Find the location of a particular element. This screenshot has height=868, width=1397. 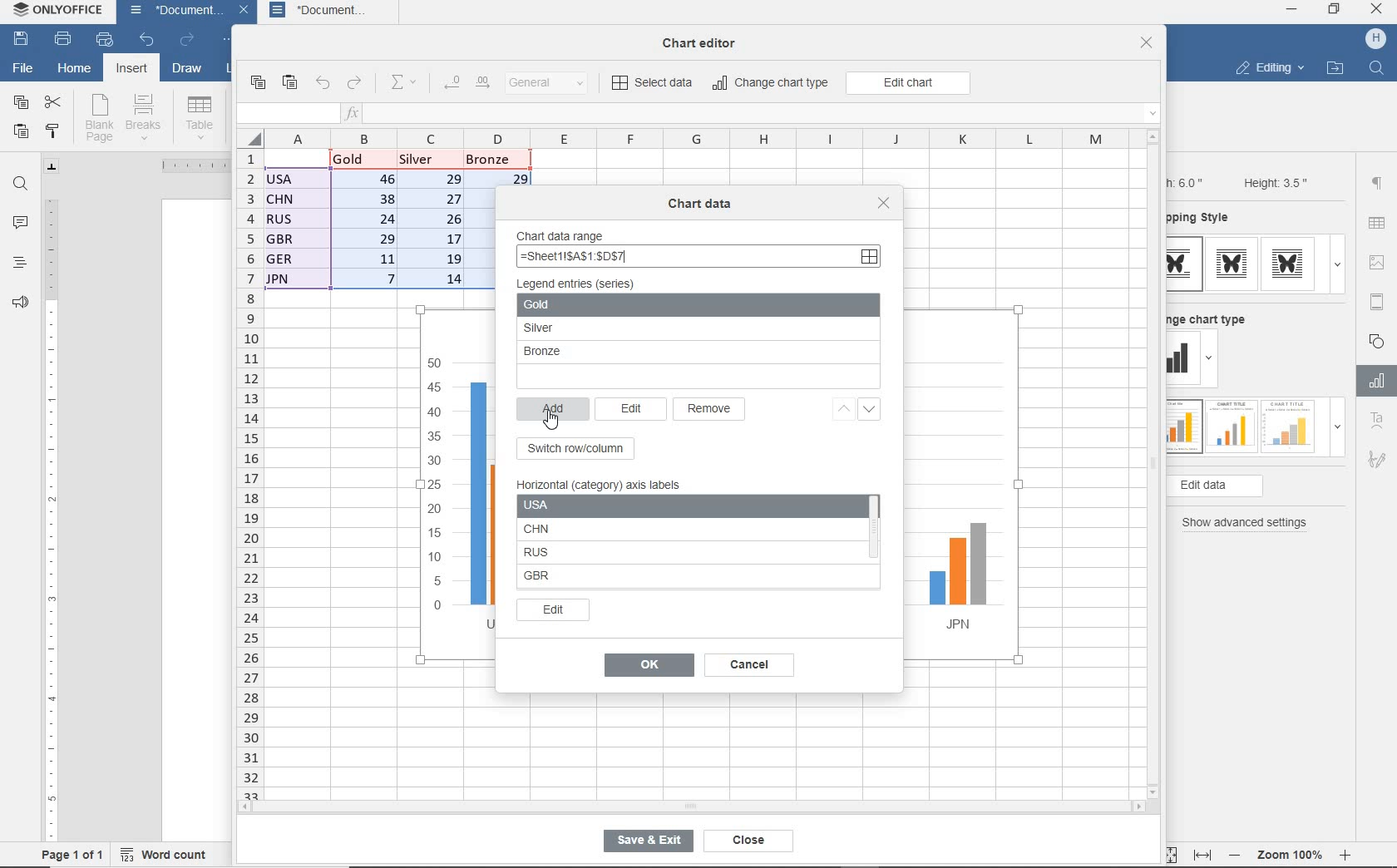

minimize is located at coordinates (1292, 9).